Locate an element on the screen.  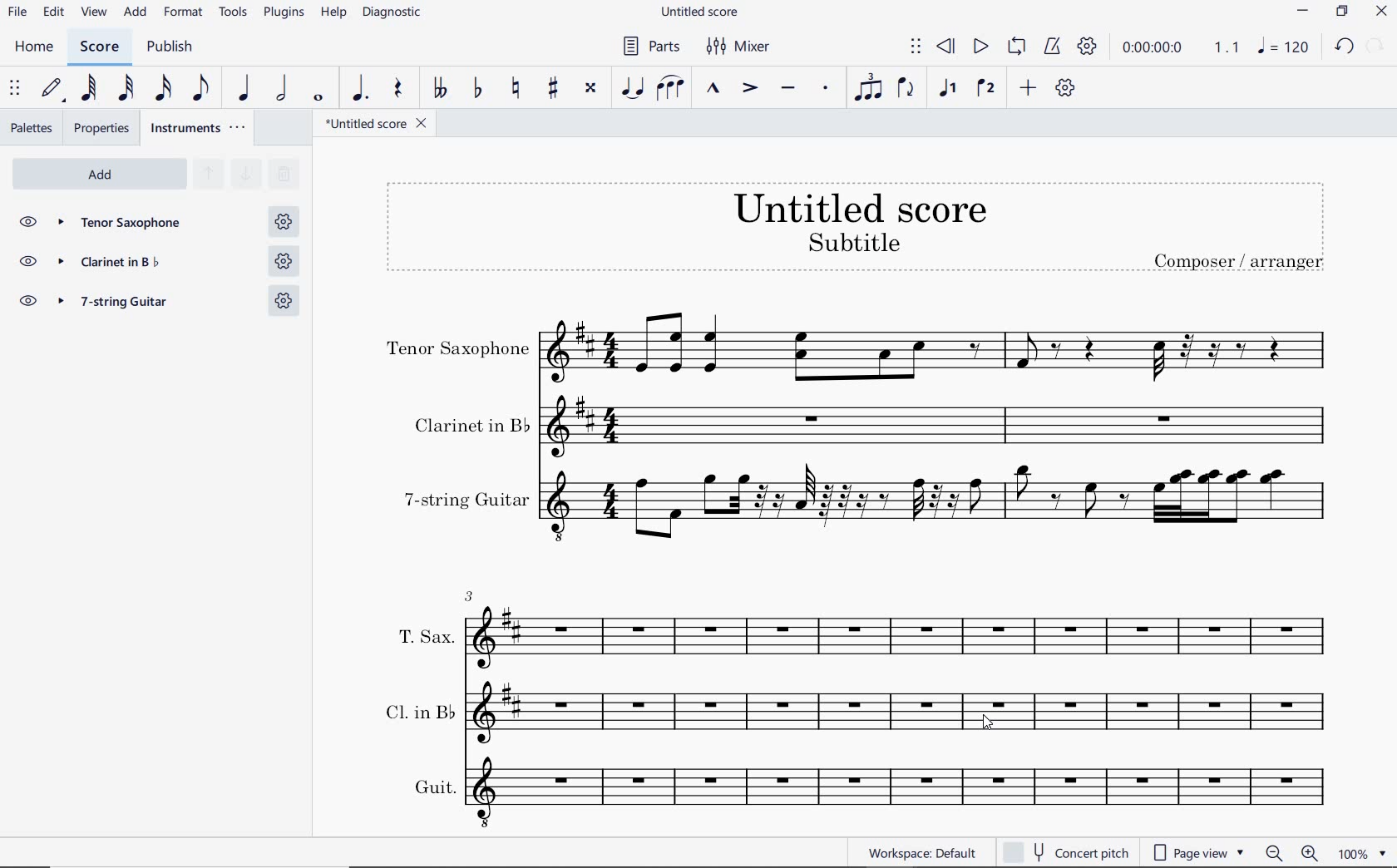
PAGE VIEW is located at coordinates (1199, 851).